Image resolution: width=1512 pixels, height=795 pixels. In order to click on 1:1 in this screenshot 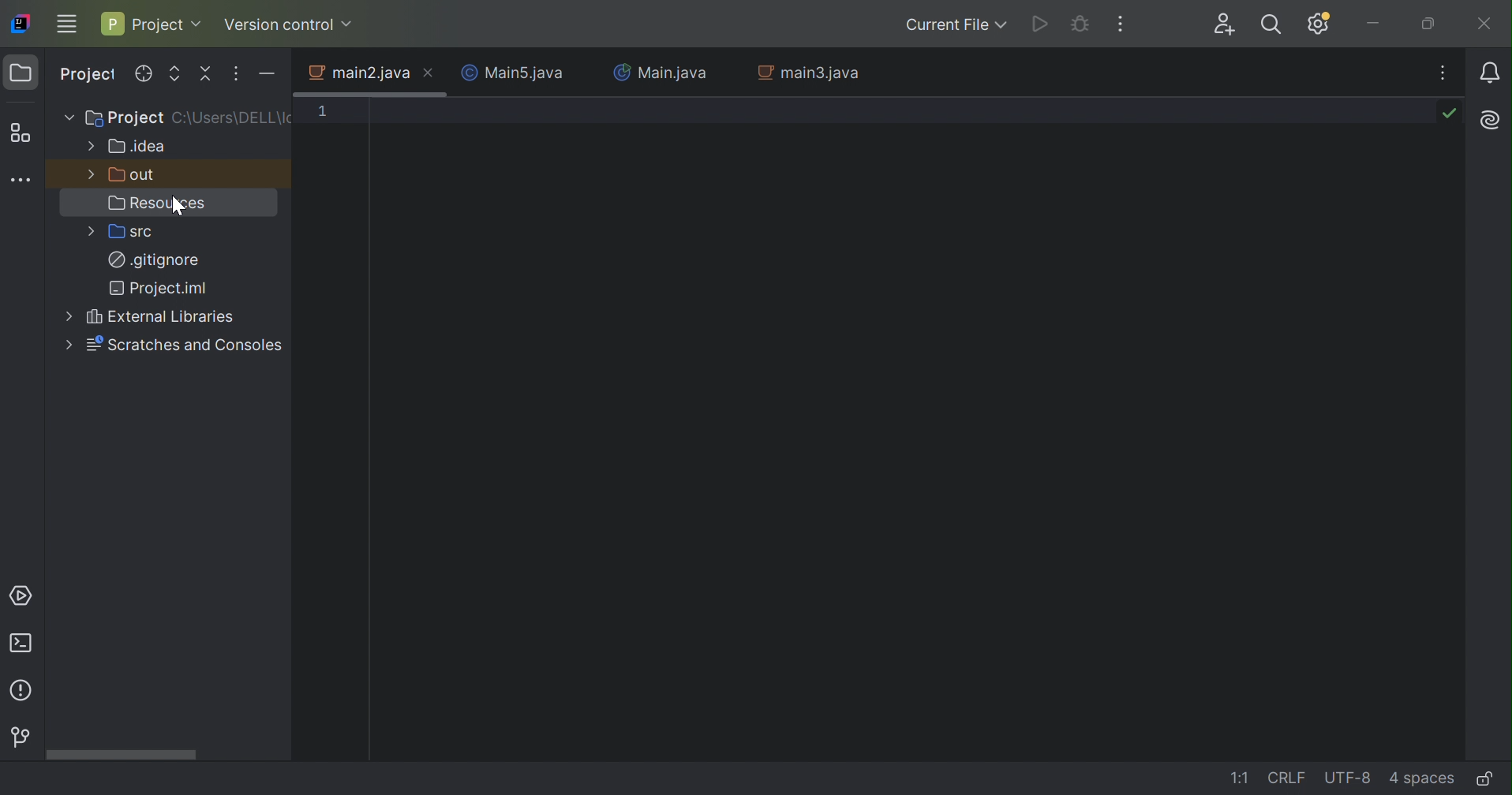, I will do `click(1240, 778)`.